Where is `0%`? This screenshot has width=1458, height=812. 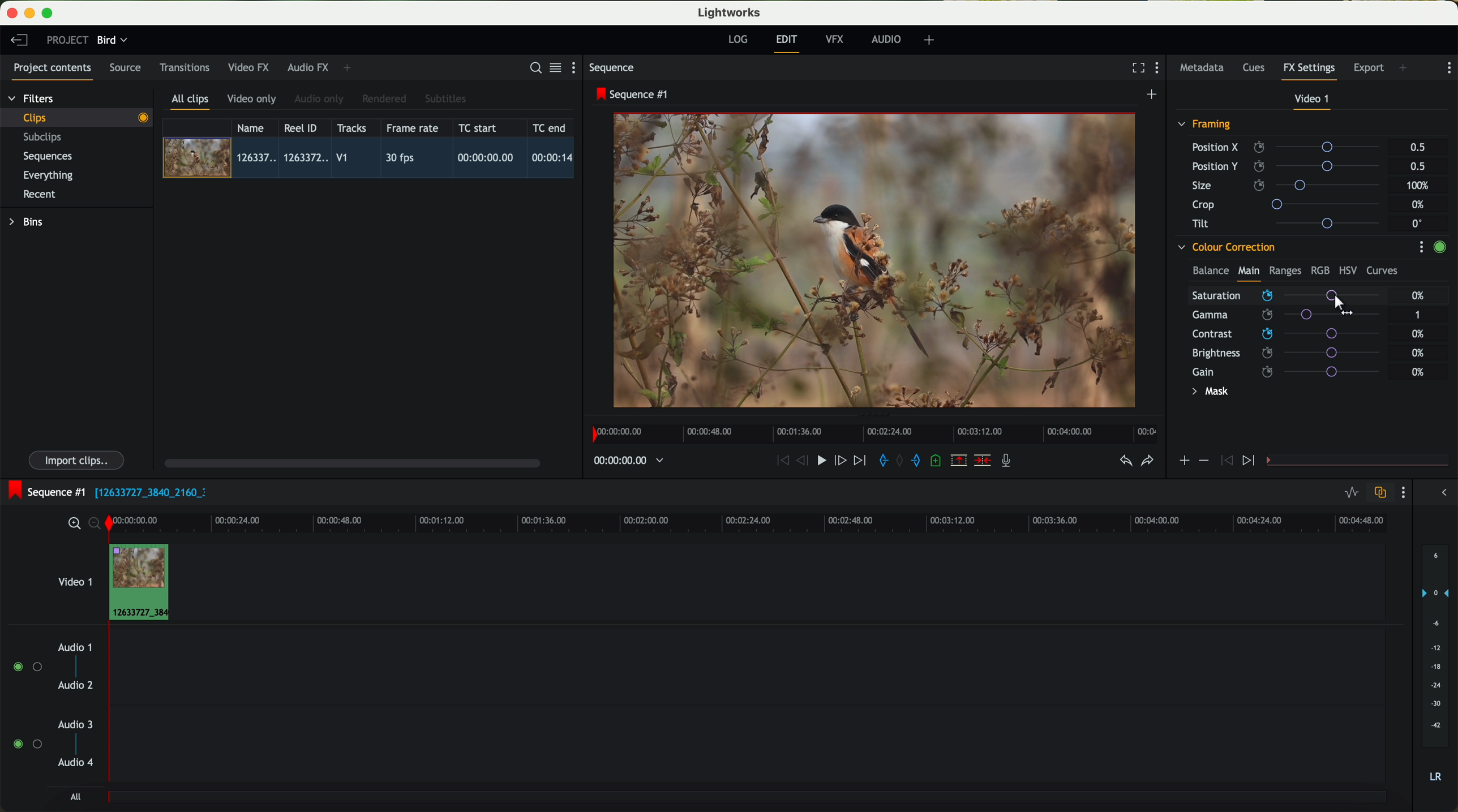 0% is located at coordinates (1418, 372).